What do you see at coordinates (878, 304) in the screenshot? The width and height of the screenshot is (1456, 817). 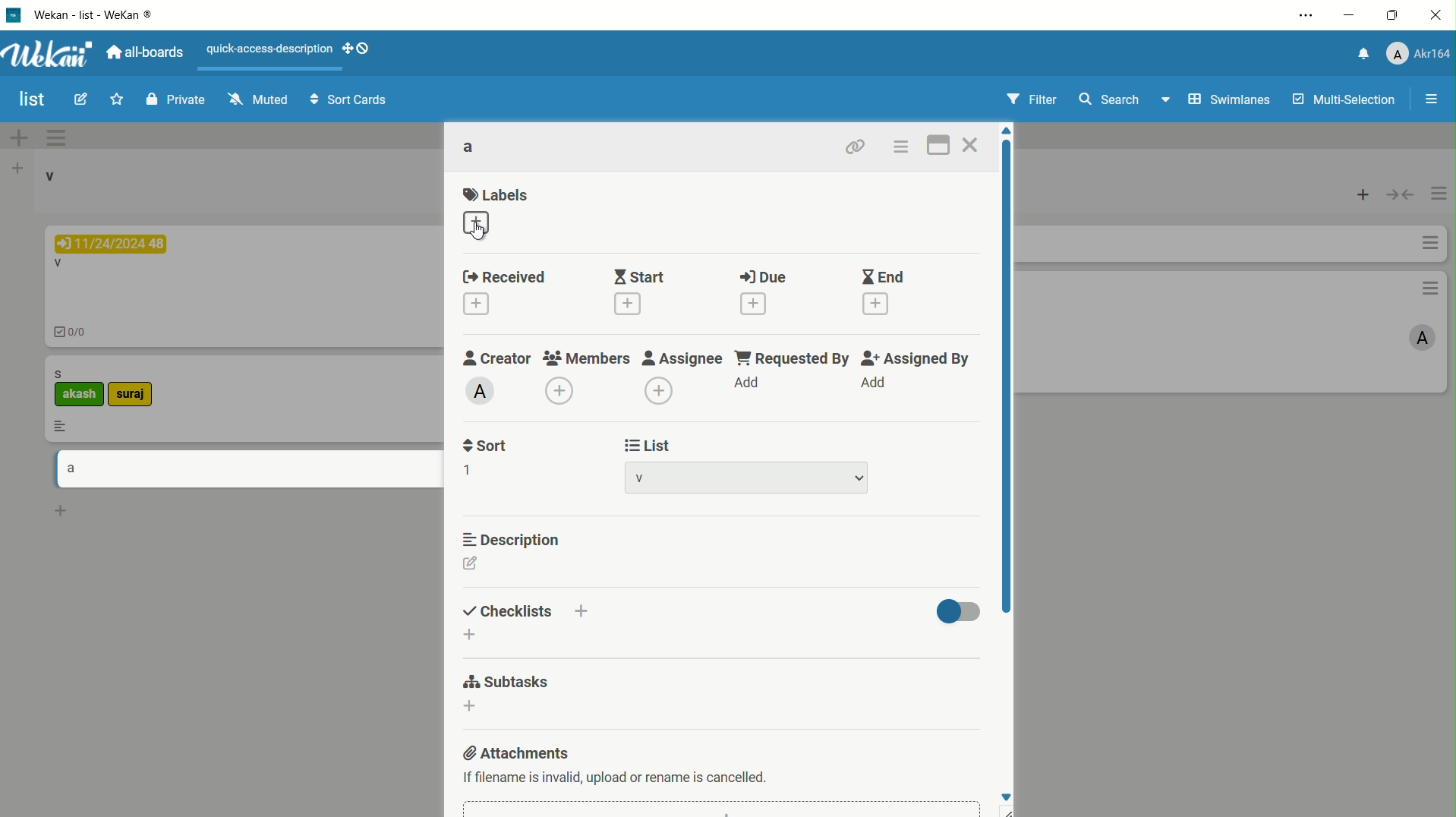 I see `add end date` at bounding box center [878, 304].